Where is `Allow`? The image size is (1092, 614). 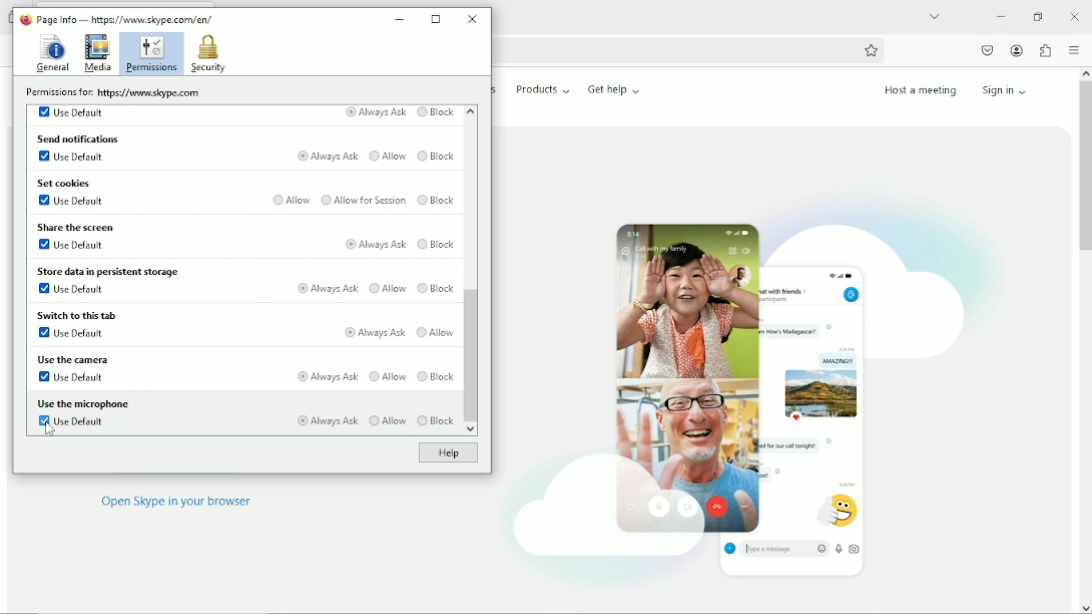
Allow is located at coordinates (436, 332).